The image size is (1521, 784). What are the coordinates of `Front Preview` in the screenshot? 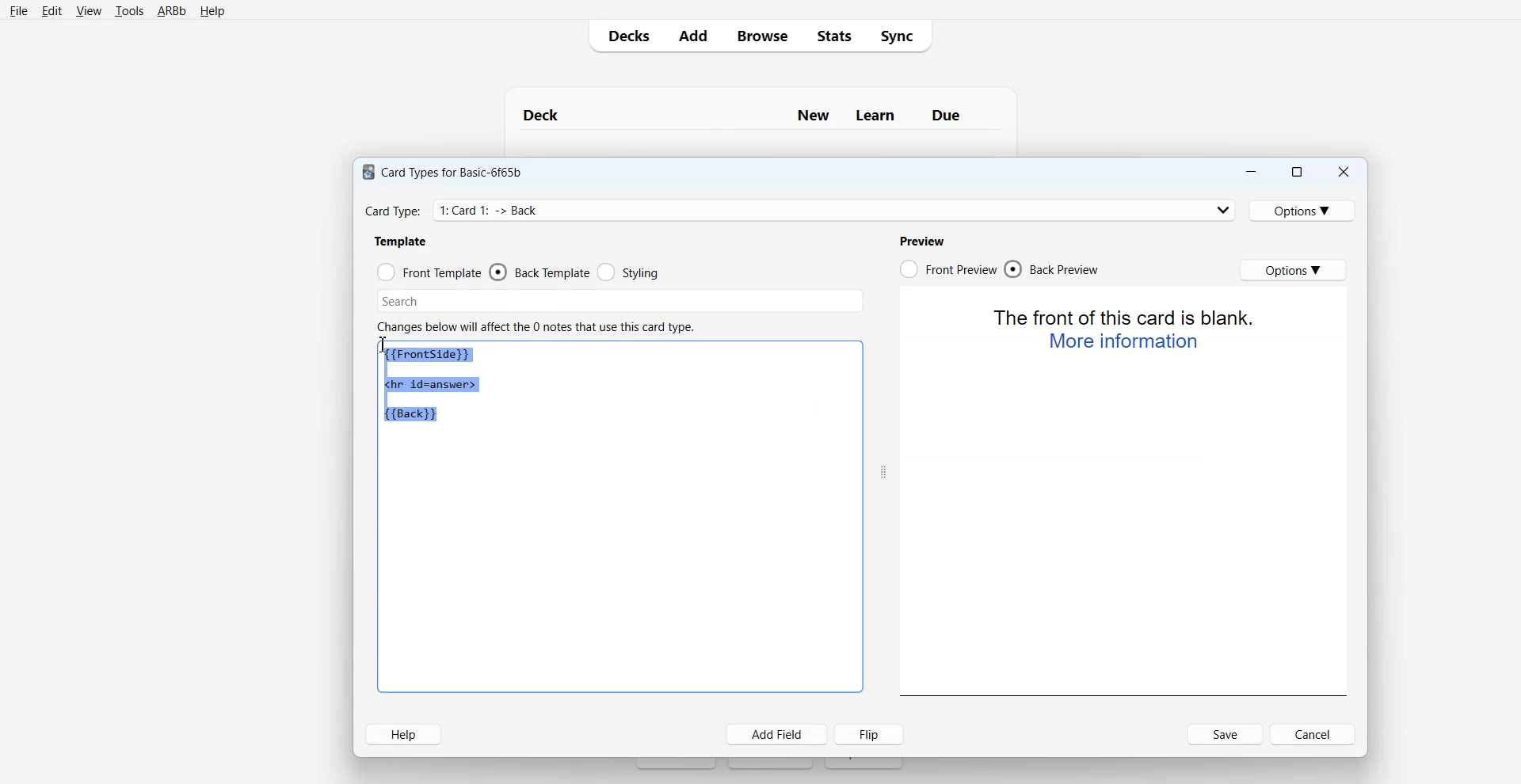 It's located at (947, 268).